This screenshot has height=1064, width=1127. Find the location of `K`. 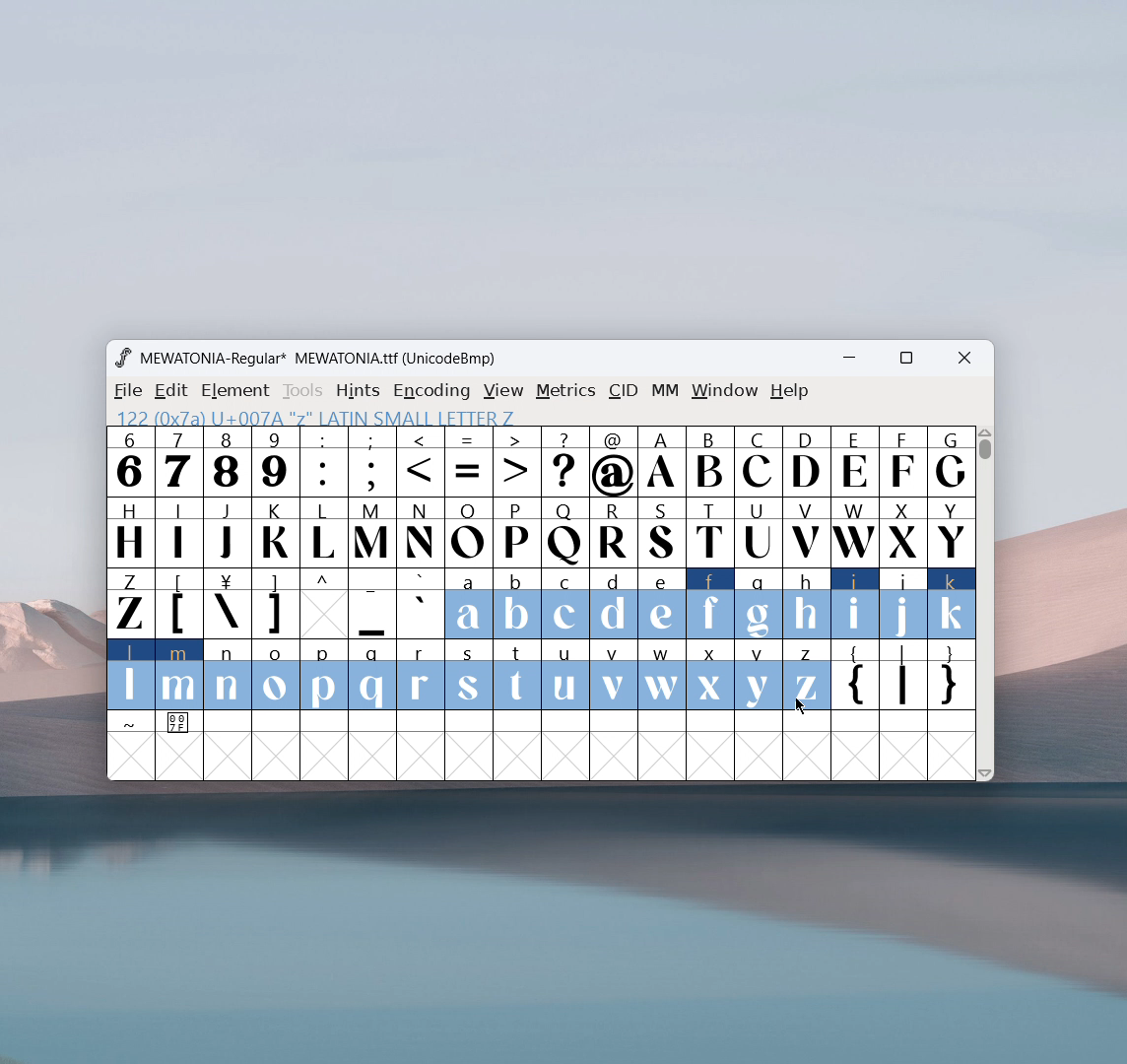

K is located at coordinates (277, 532).